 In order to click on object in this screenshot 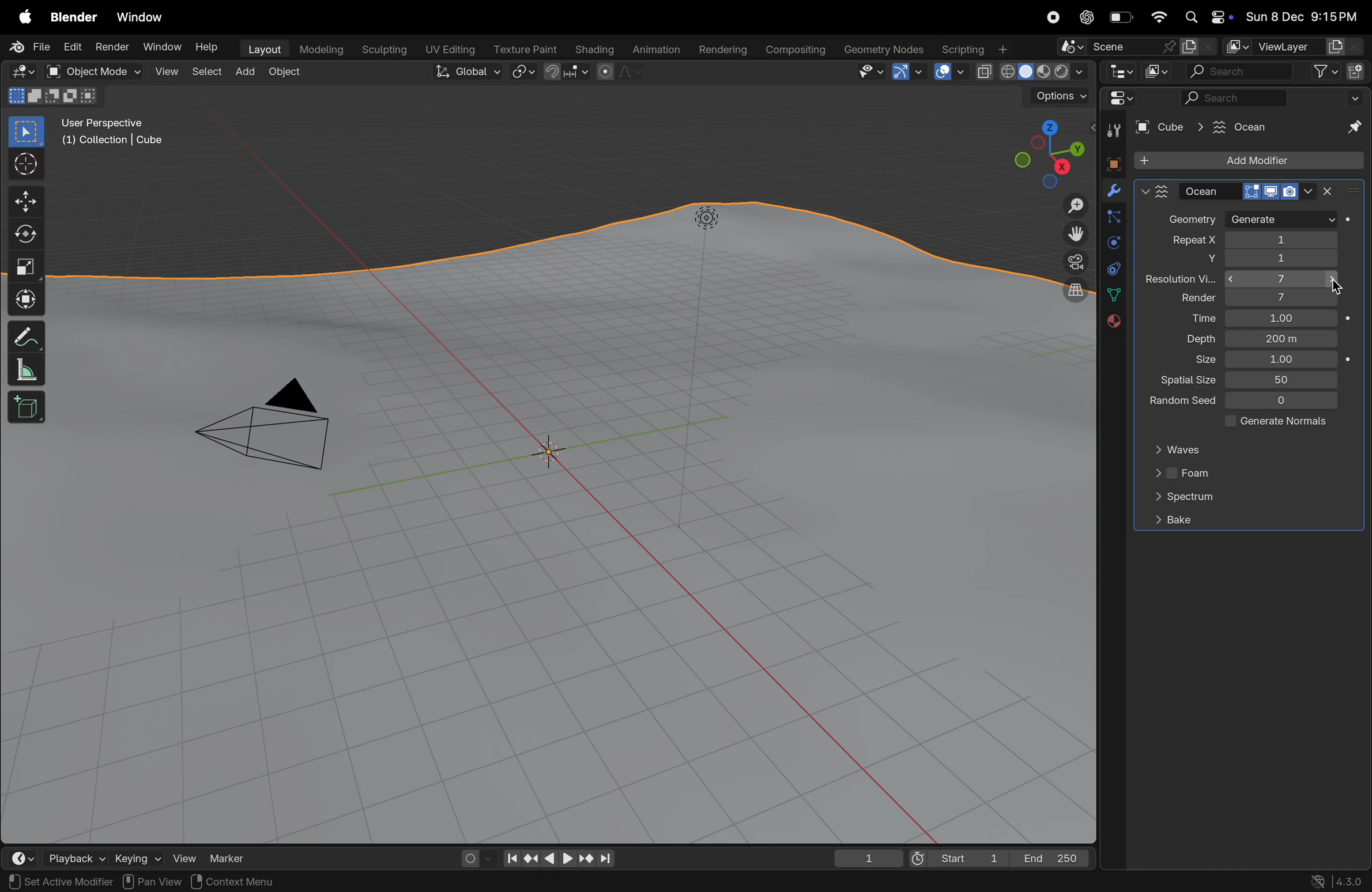, I will do `click(1110, 162)`.